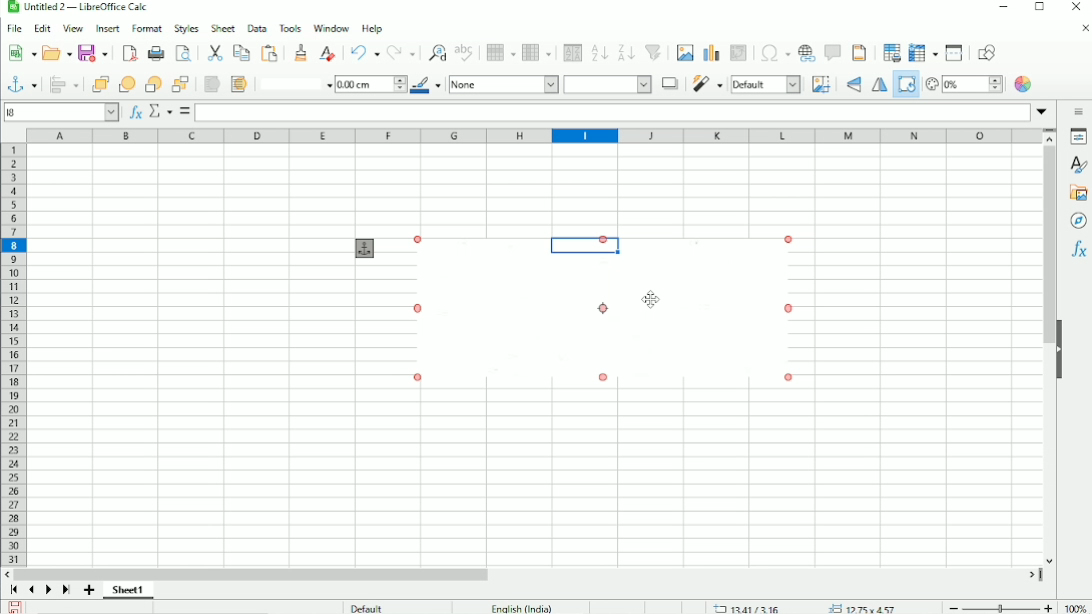  I want to click on Horizontal scrollbar, so click(251, 574).